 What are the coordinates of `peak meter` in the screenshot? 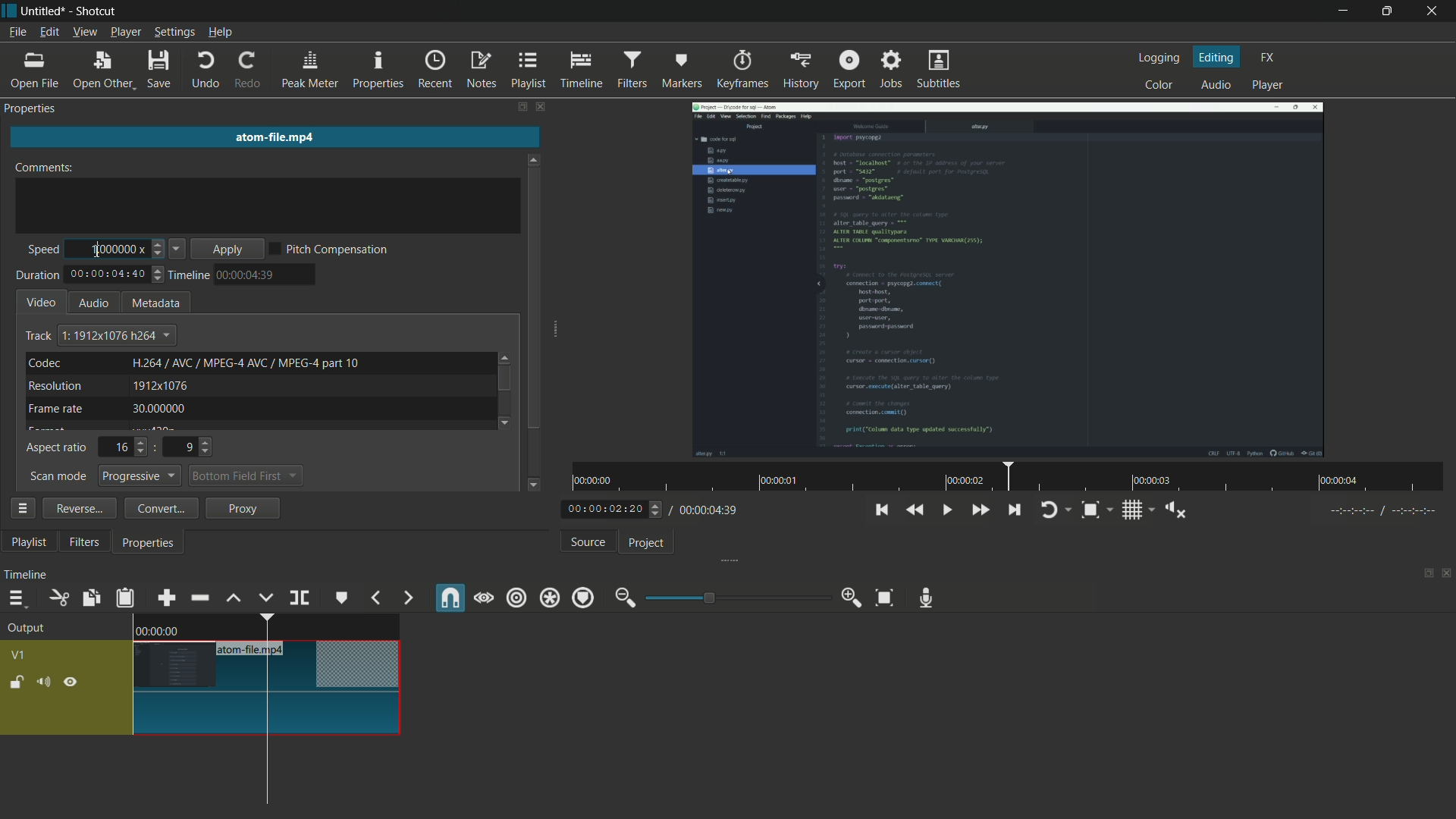 It's located at (309, 71).